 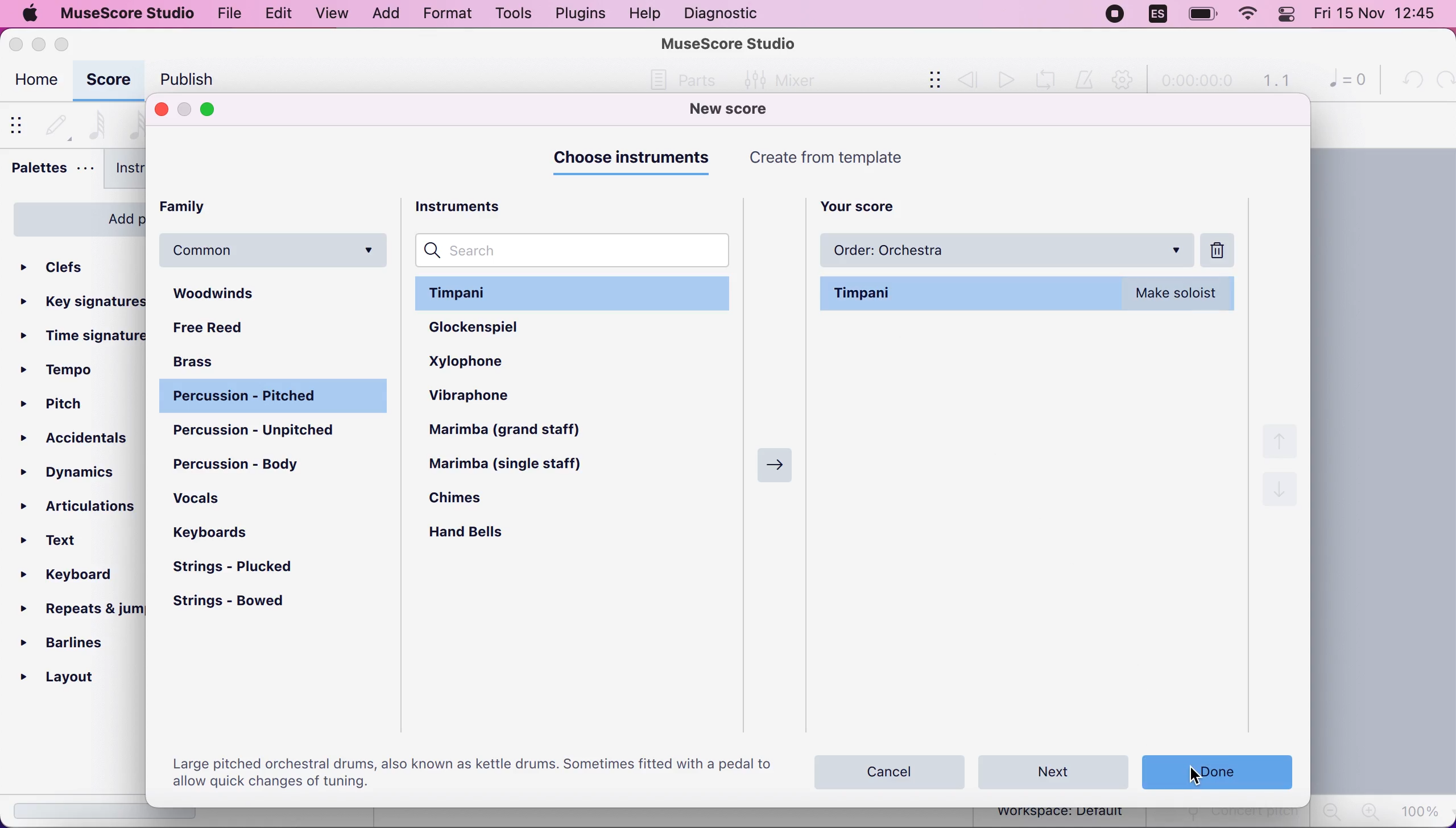 What do you see at coordinates (1004, 80) in the screenshot?
I see `play` at bounding box center [1004, 80].